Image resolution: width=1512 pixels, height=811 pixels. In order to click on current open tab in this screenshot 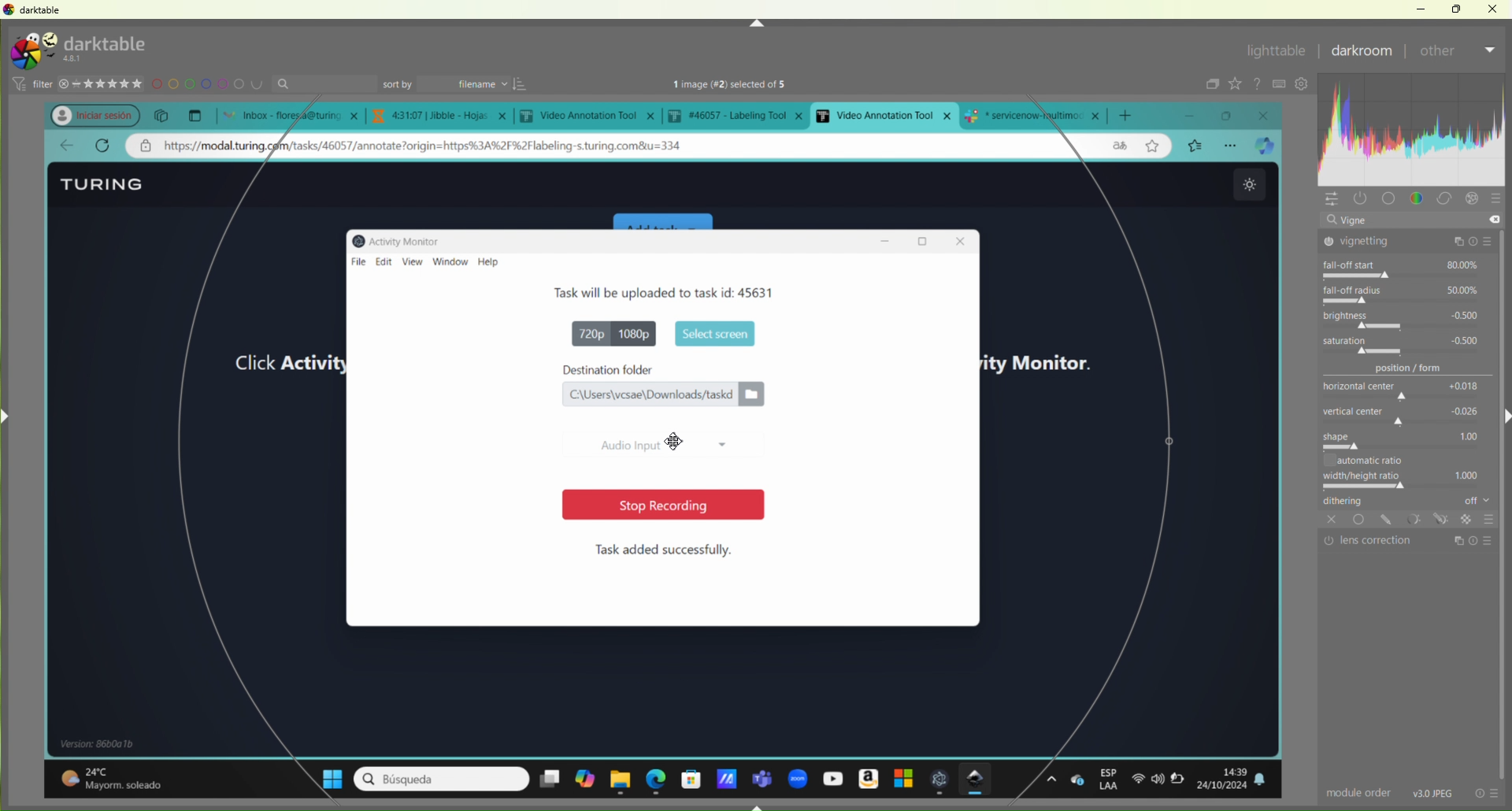, I will do `click(884, 115)`.